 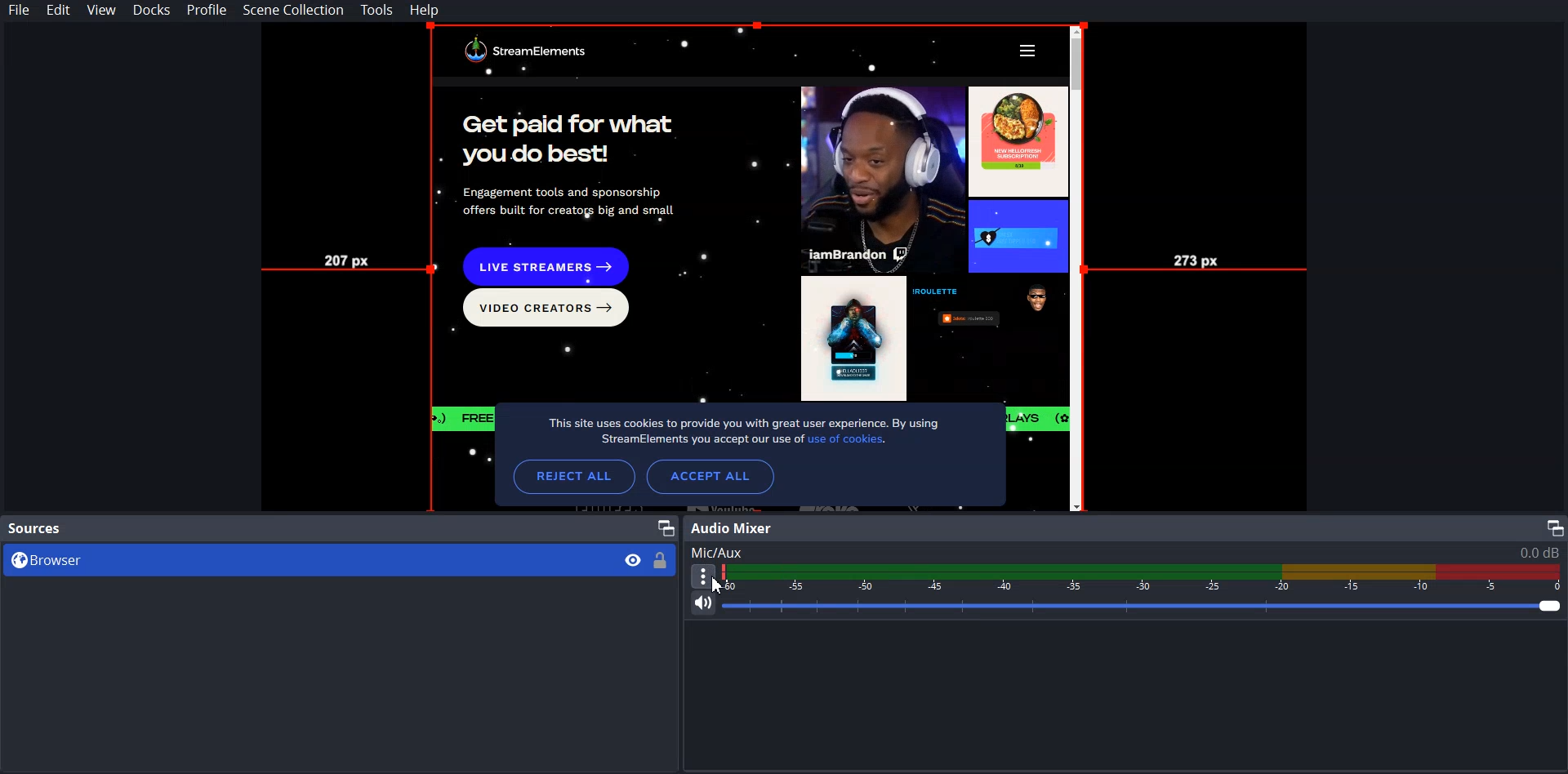 What do you see at coordinates (425, 11) in the screenshot?
I see `Help` at bounding box center [425, 11].